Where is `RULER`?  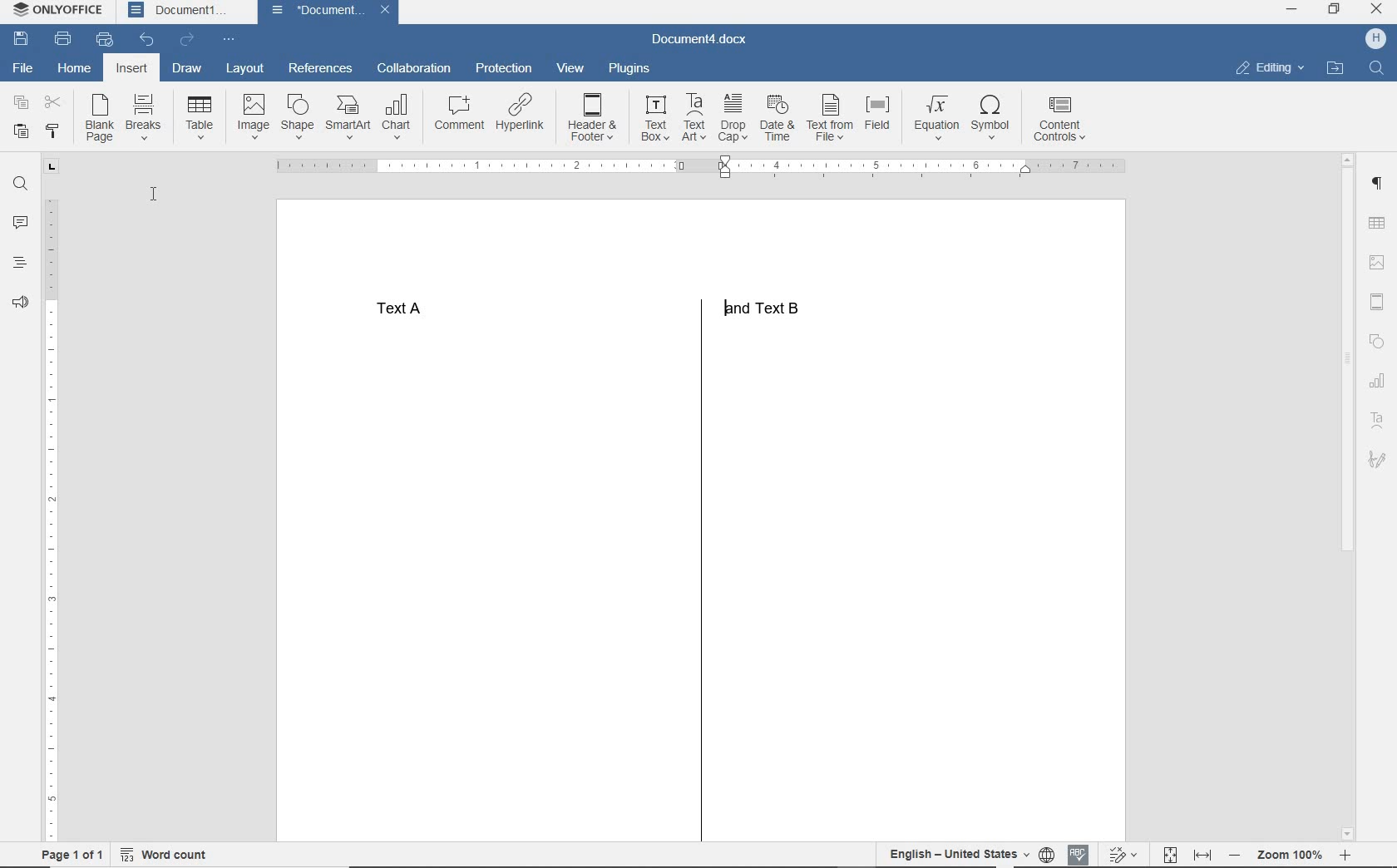 RULER is located at coordinates (704, 167).